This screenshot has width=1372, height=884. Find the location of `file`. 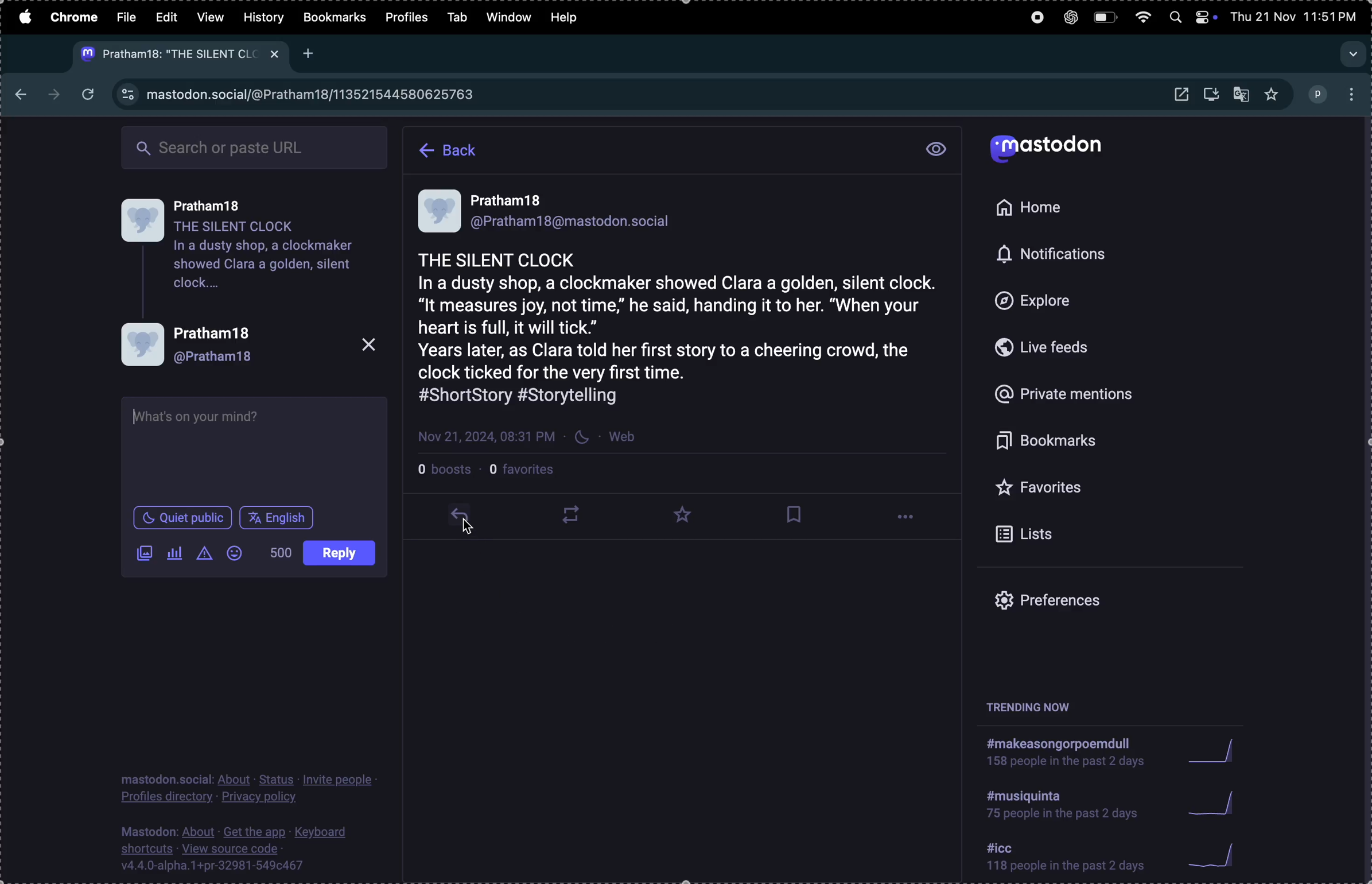

file is located at coordinates (128, 17).